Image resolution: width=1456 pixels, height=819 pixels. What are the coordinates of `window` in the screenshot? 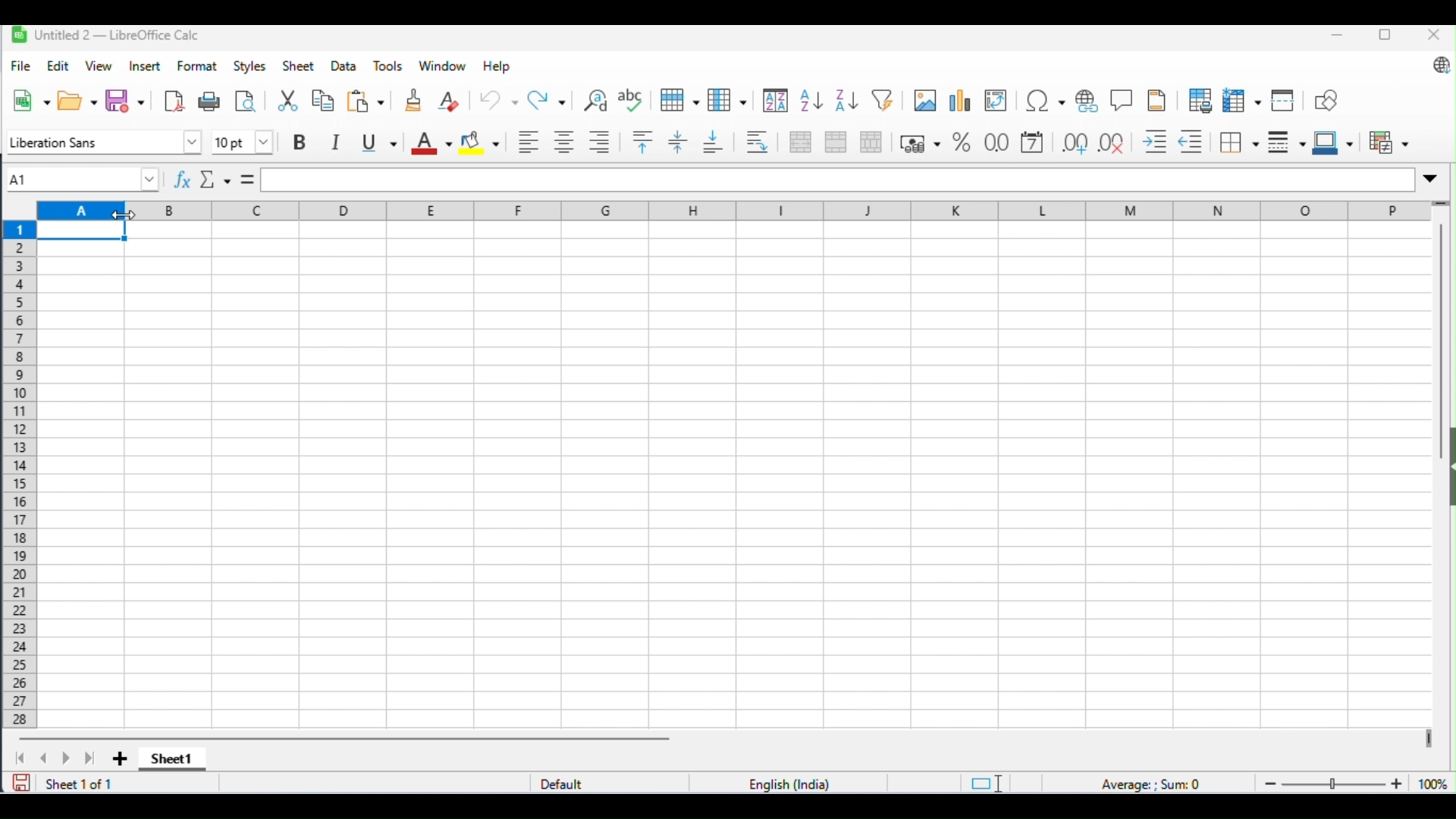 It's located at (444, 66).